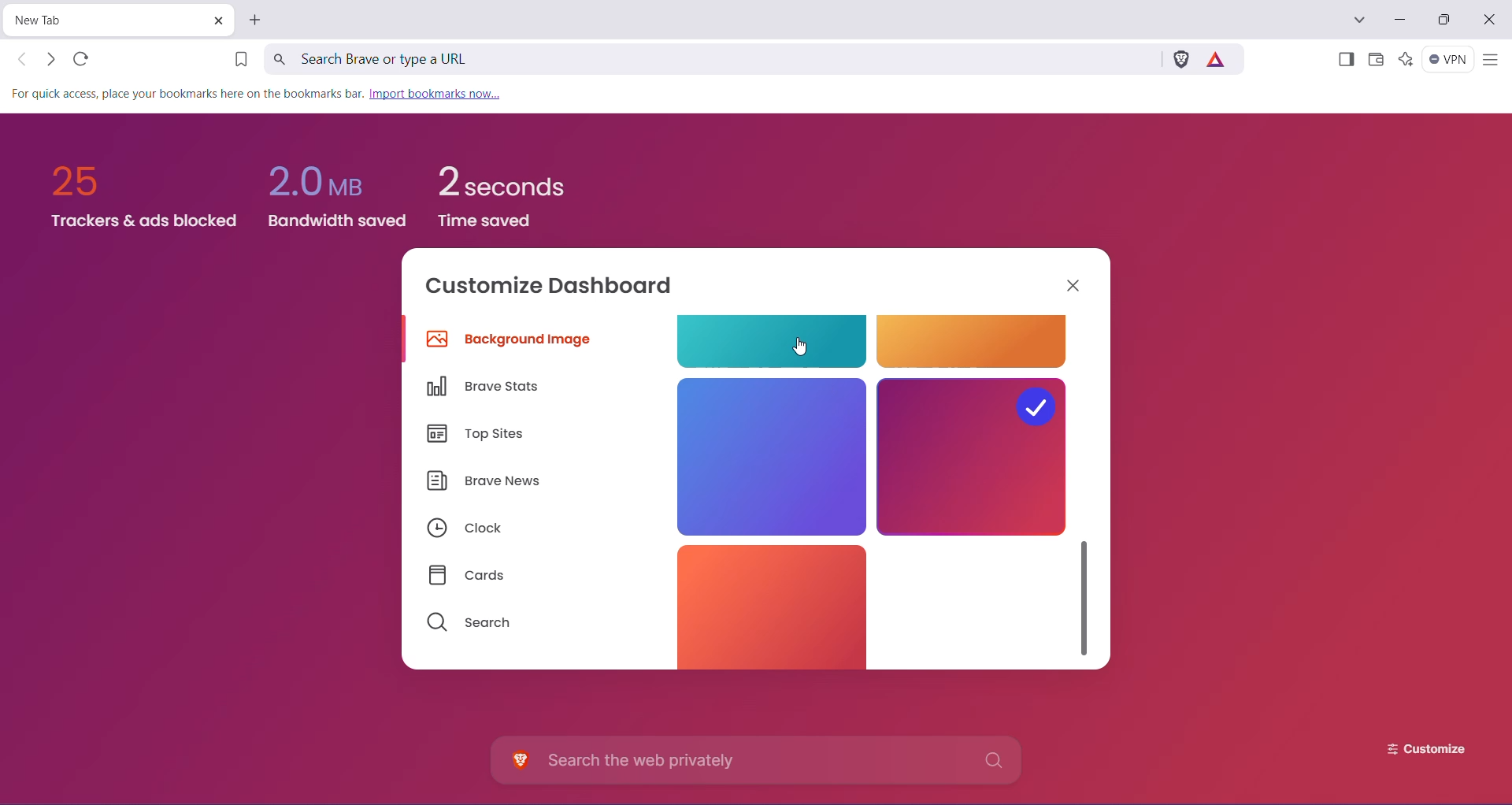 The height and width of the screenshot is (805, 1512). Describe the element at coordinates (513, 342) in the screenshot. I see `Background Image` at that location.